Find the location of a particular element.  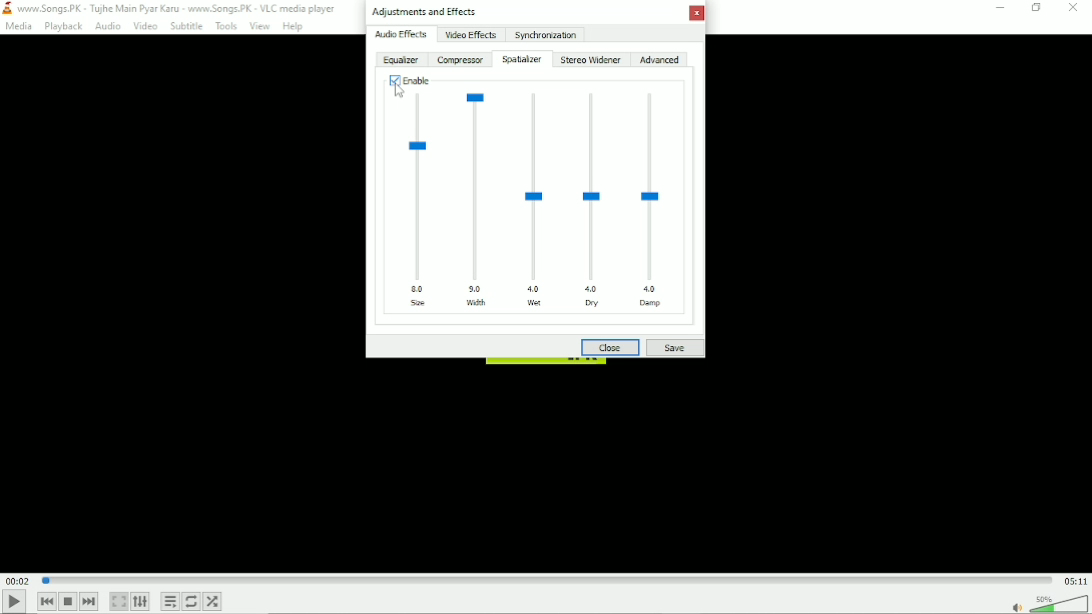

Toggle video in fullscreen is located at coordinates (118, 602).